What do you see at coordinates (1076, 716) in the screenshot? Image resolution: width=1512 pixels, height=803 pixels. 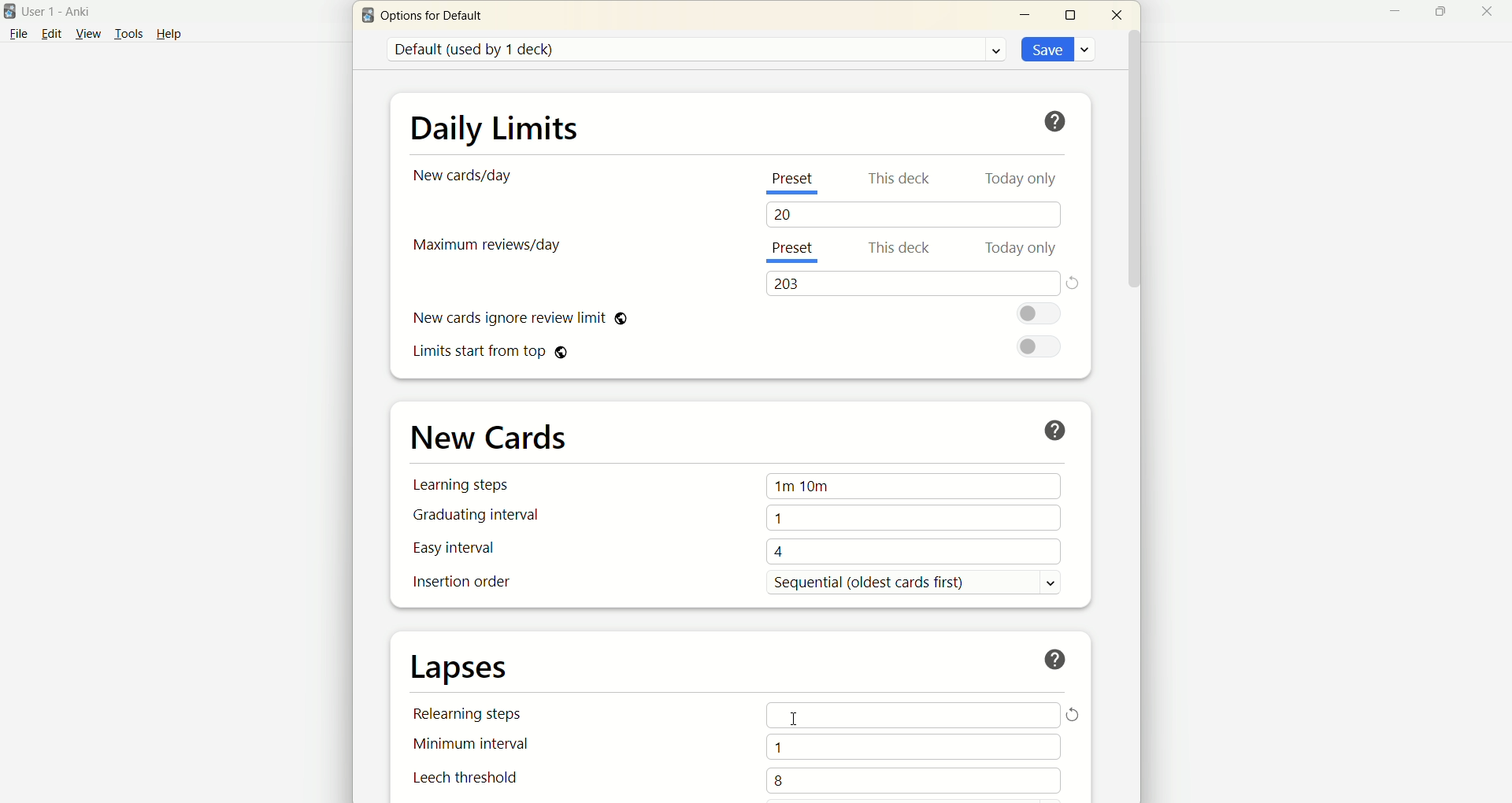 I see `reload` at bounding box center [1076, 716].